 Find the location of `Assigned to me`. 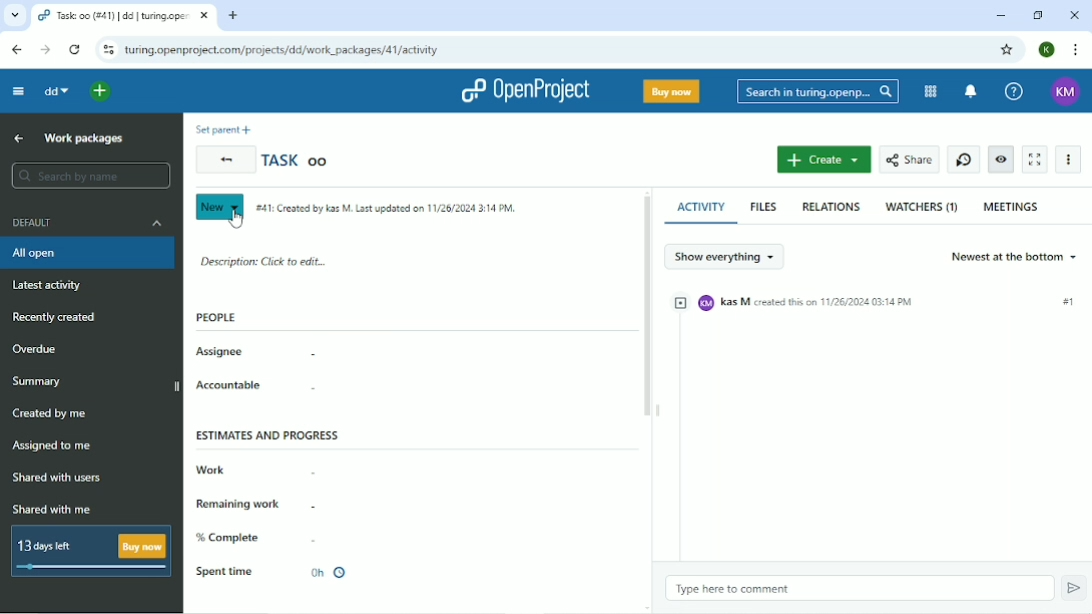

Assigned to me is located at coordinates (55, 445).